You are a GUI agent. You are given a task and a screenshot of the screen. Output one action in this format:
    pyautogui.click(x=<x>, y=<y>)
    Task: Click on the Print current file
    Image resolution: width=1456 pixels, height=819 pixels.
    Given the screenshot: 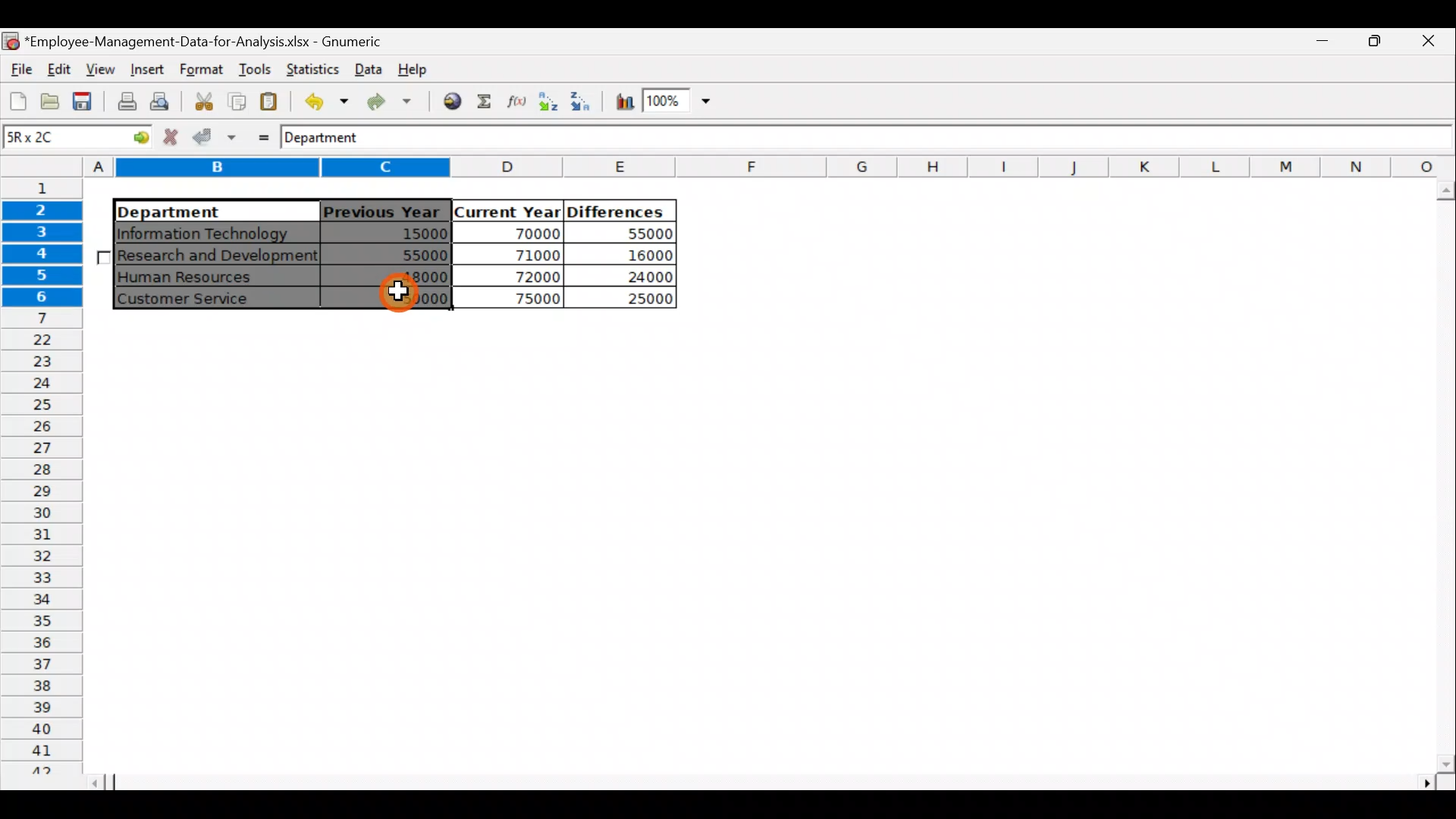 What is the action you would take?
    pyautogui.click(x=124, y=103)
    